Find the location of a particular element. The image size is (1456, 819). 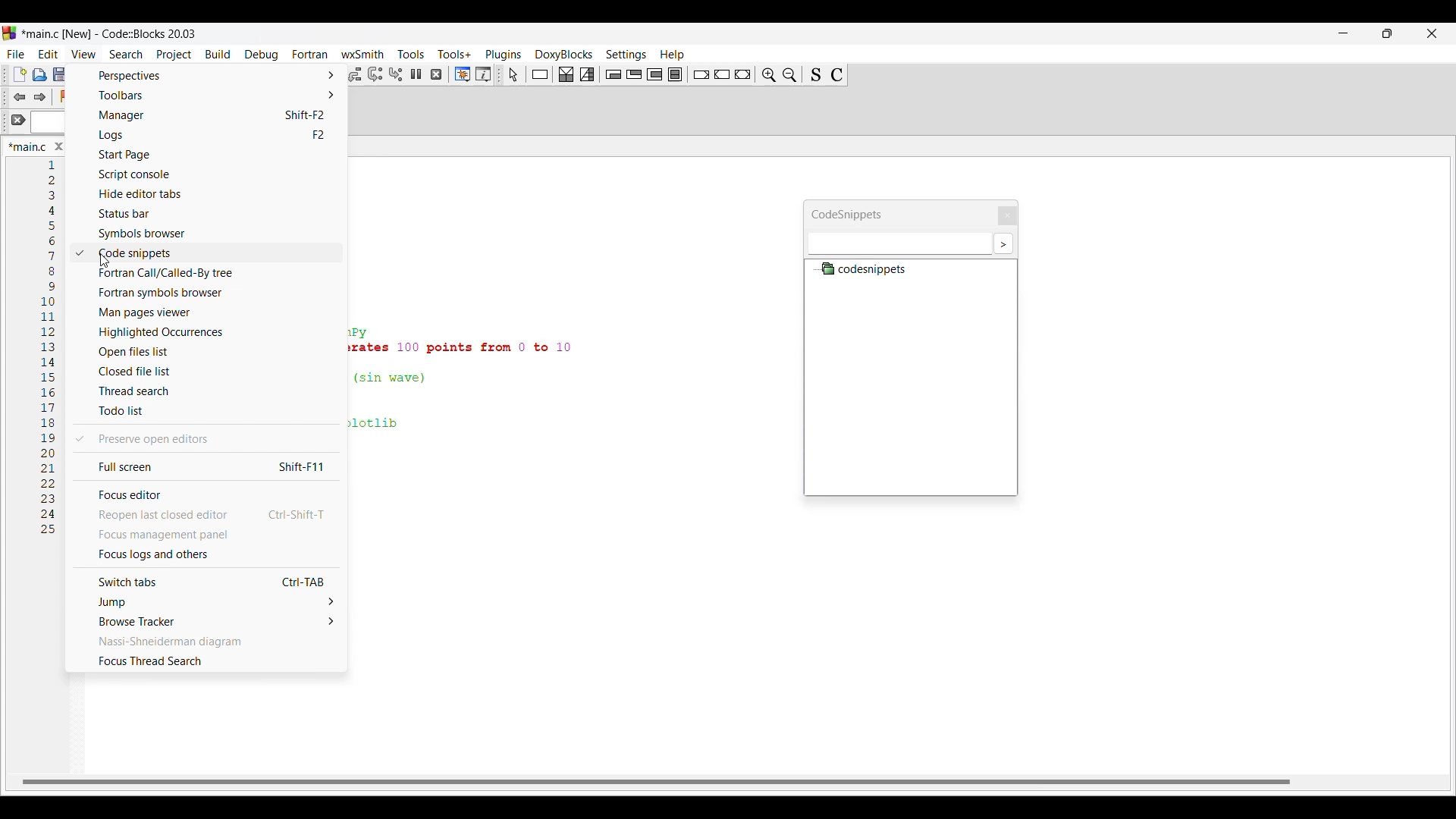

Code line is located at coordinates (47, 357).